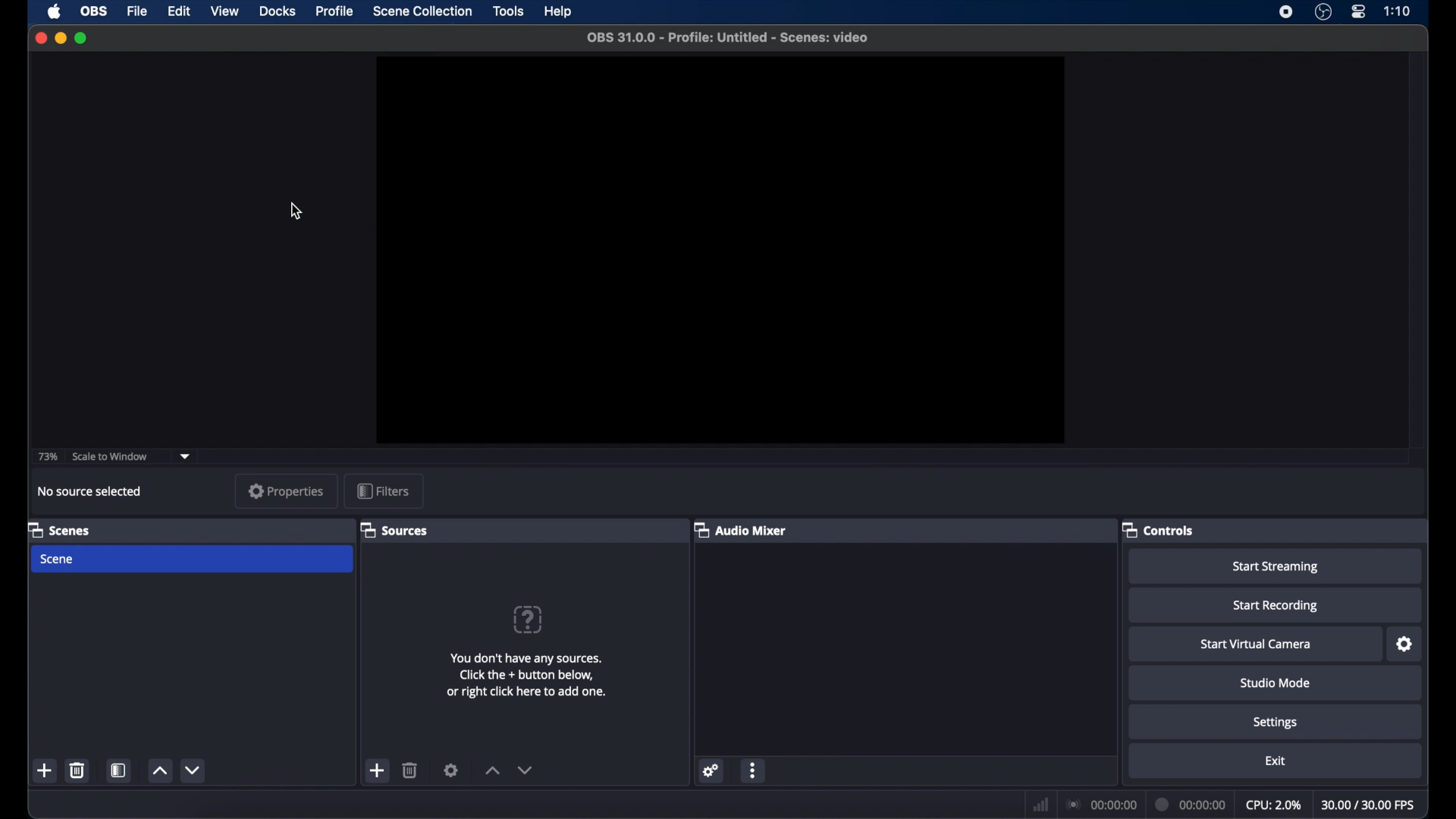 The image size is (1456, 819). Describe the element at coordinates (54, 11) in the screenshot. I see `apple icon` at that location.